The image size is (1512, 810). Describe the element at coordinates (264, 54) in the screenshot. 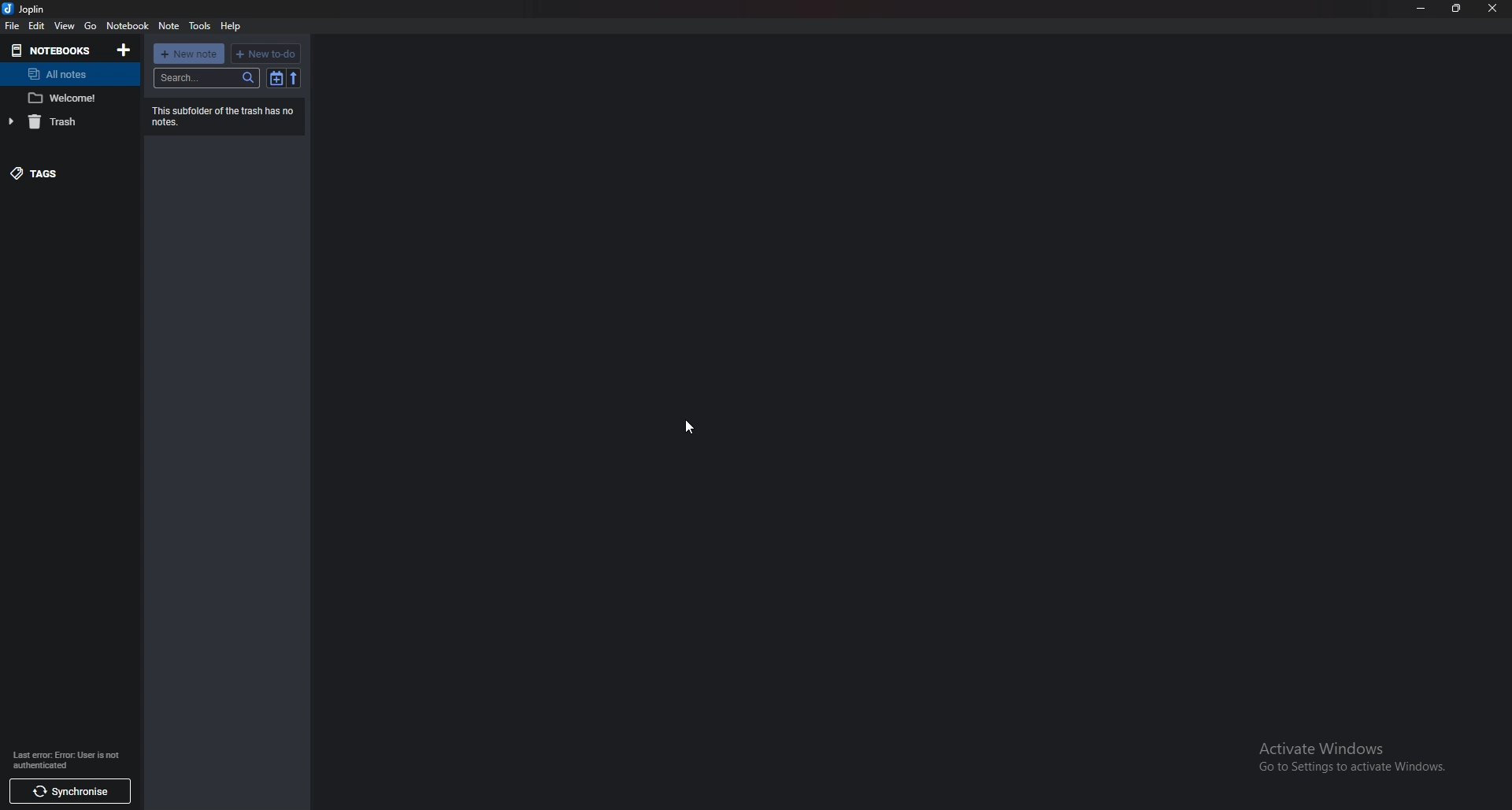

I see `new todo` at that location.